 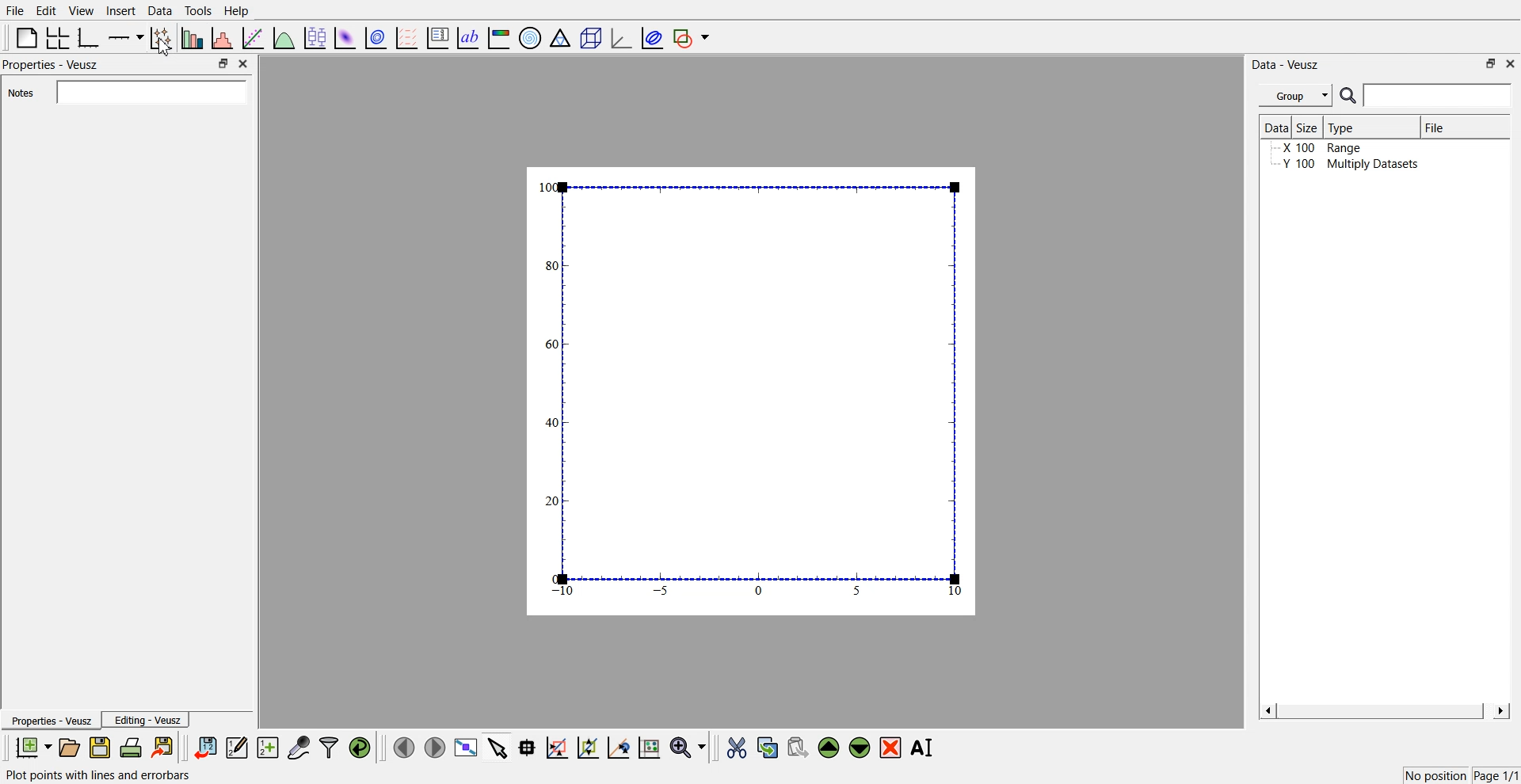 I want to click on copy the selected widgets, so click(x=768, y=747).